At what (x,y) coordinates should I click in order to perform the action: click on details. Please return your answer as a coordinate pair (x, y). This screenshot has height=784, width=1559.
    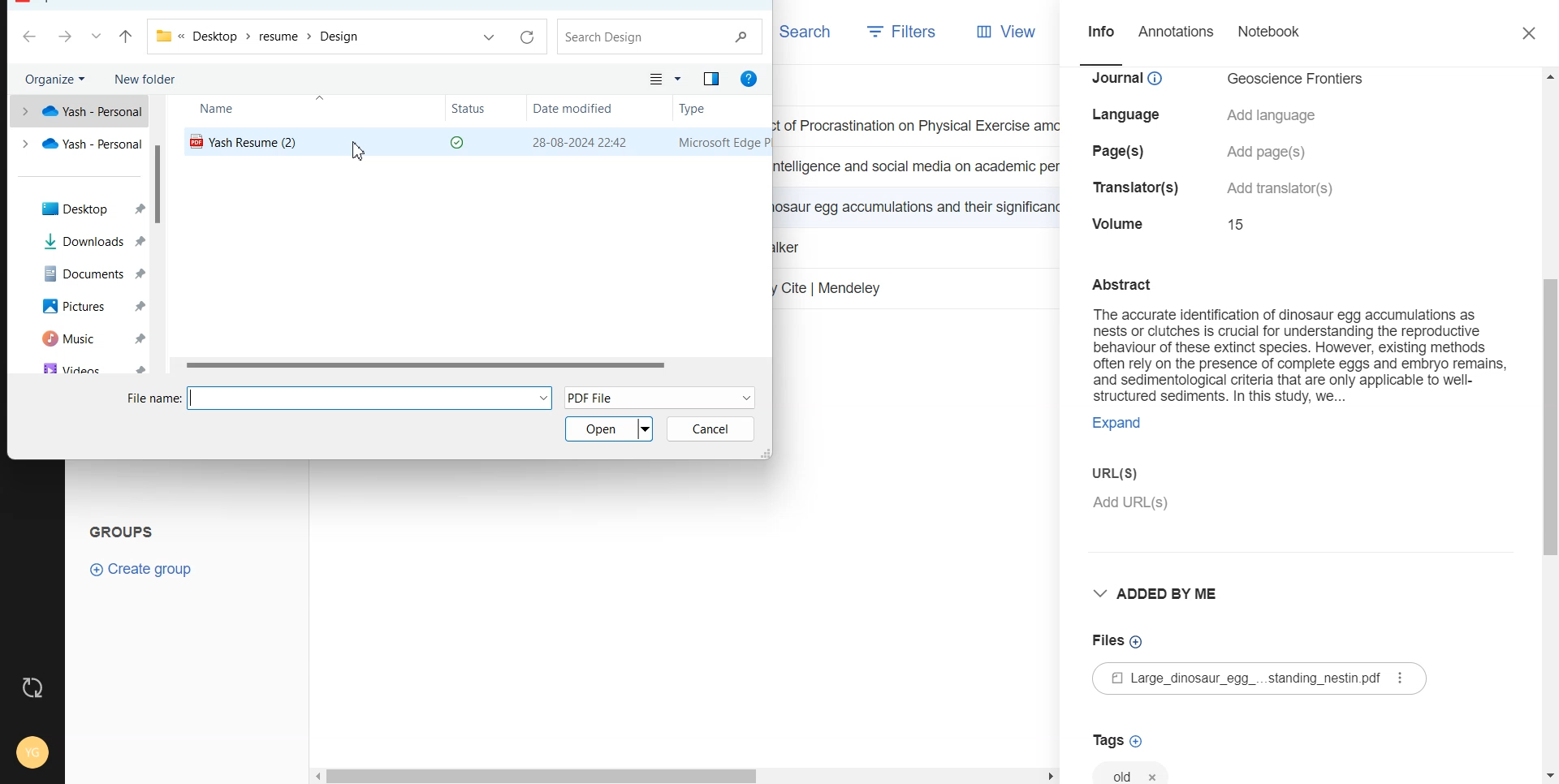
    Looking at the image, I should click on (1273, 116).